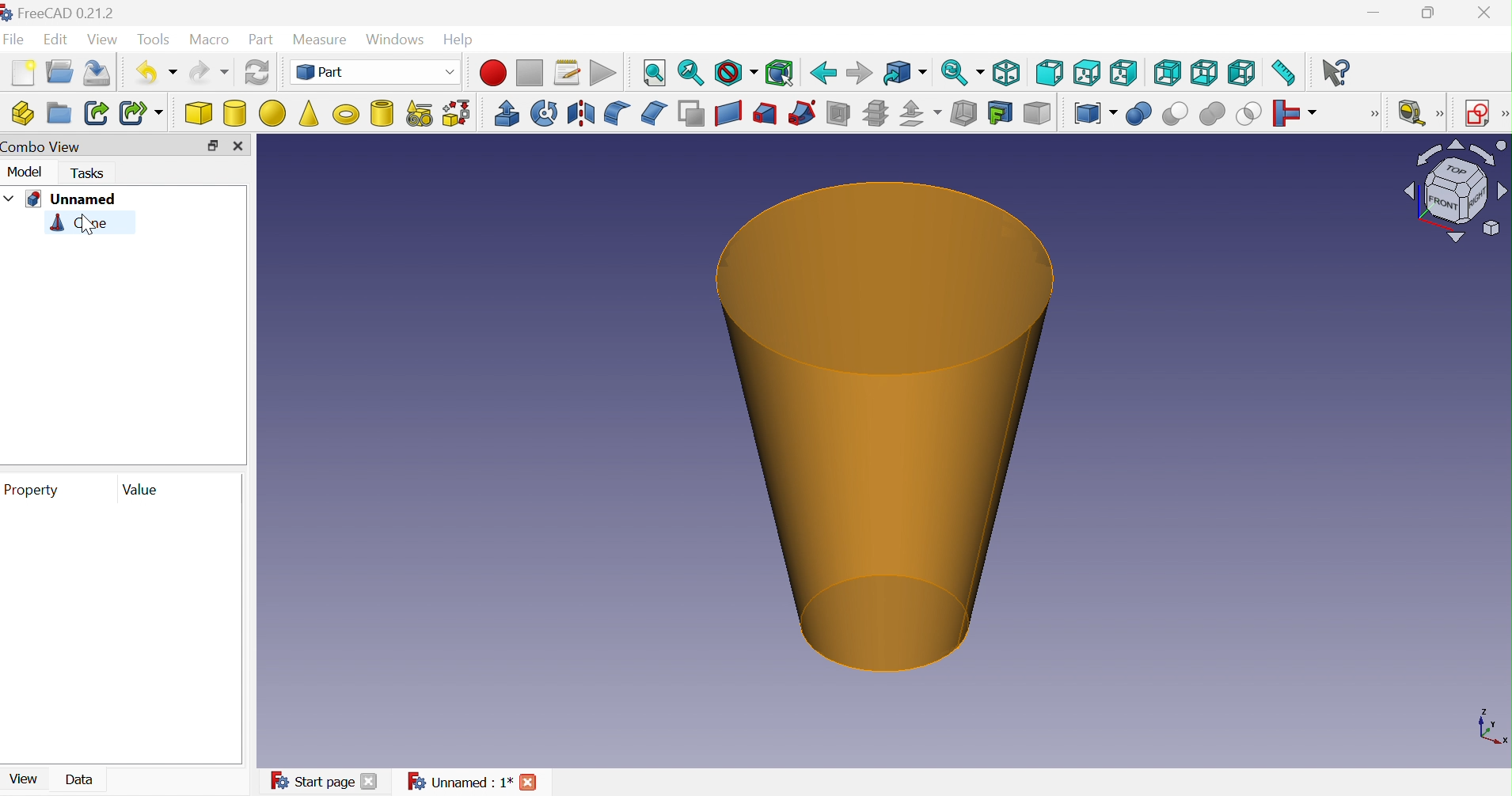 This screenshot has width=1512, height=796. I want to click on Extrude, so click(507, 112).